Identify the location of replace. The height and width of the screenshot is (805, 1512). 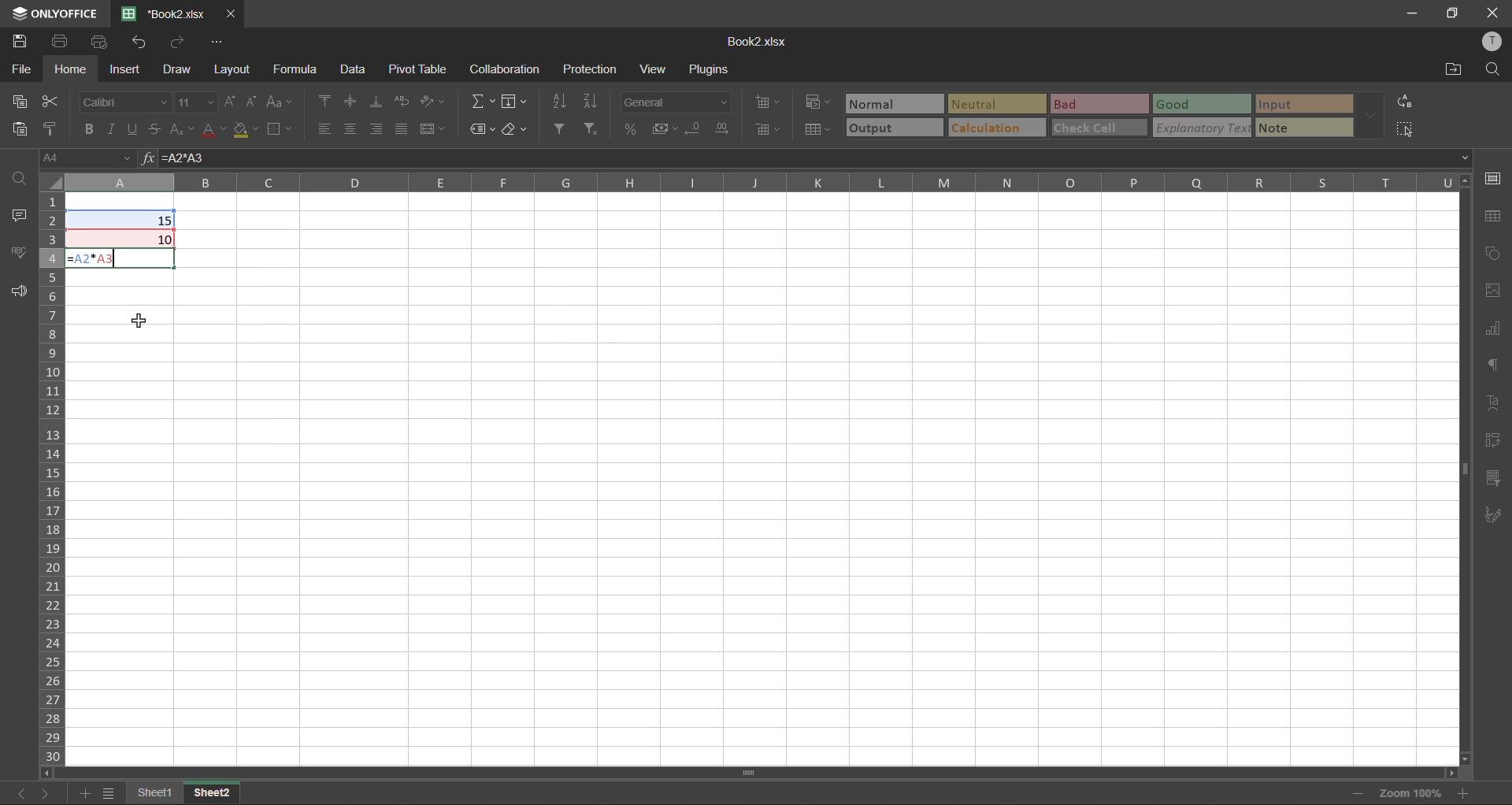
(1405, 101).